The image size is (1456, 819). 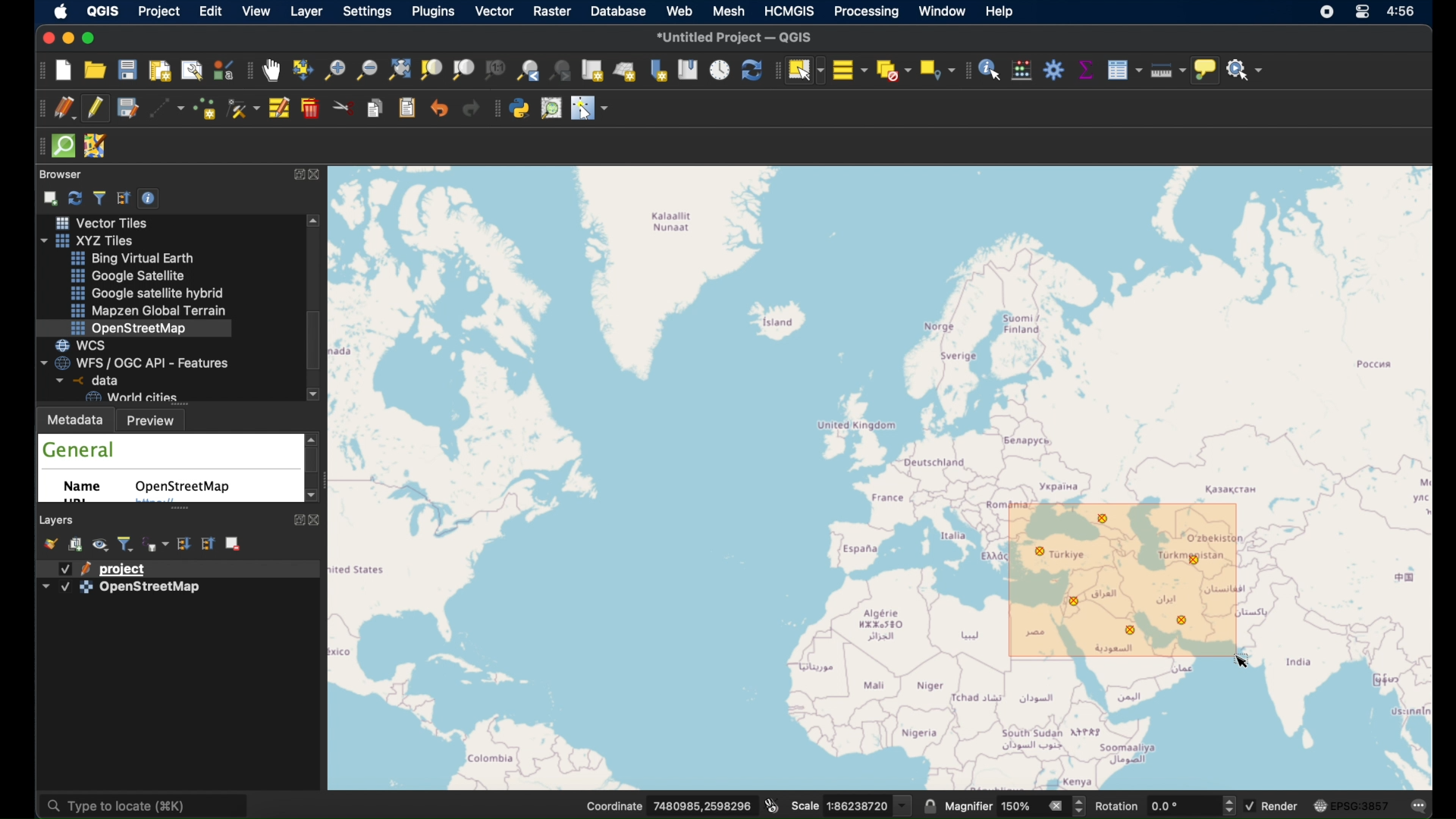 I want to click on identify feature, so click(x=990, y=70).